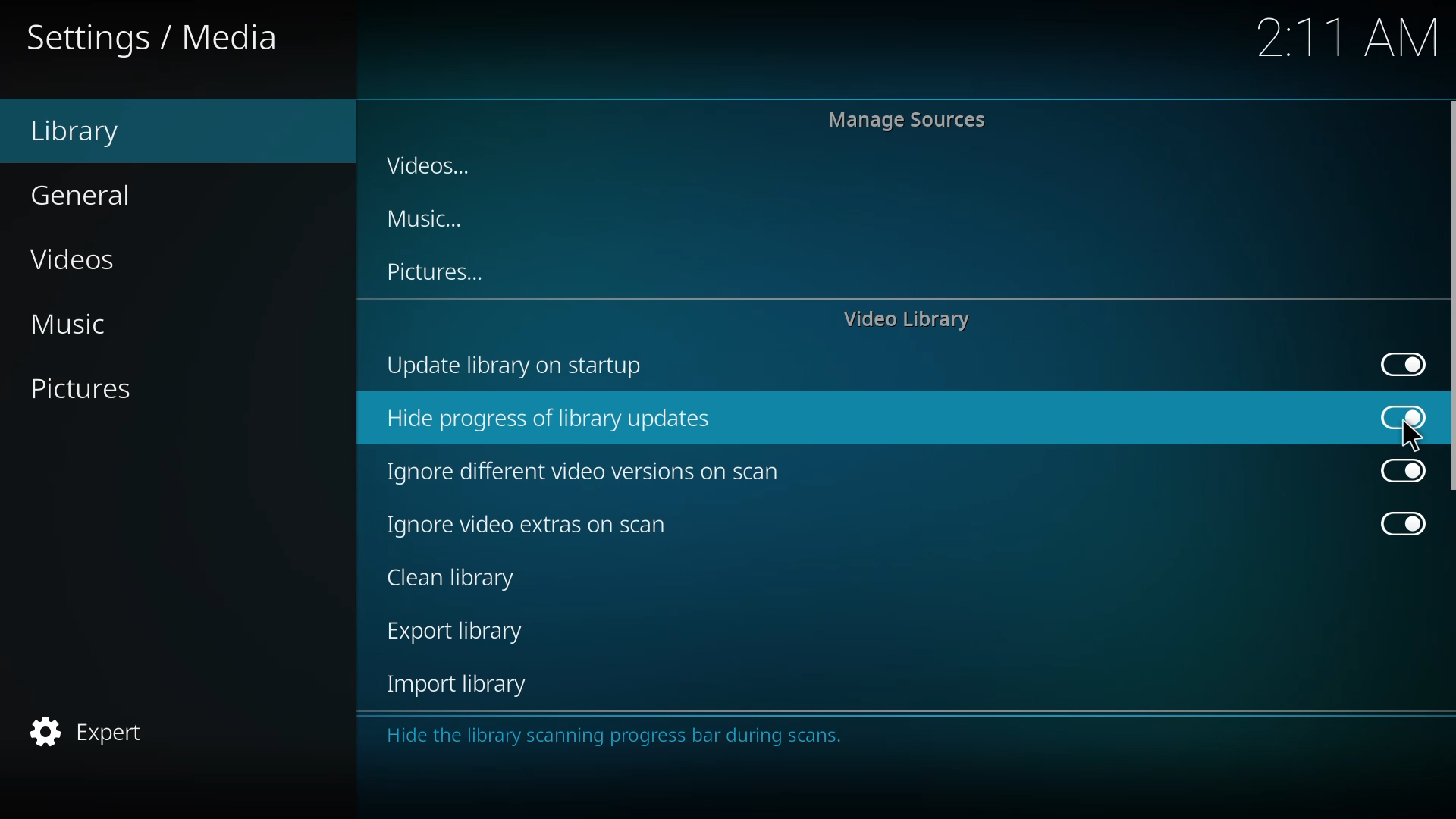 Image resolution: width=1456 pixels, height=819 pixels. Describe the element at coordinates (155, 39) in the screenshot. I see `settings media` at that location.